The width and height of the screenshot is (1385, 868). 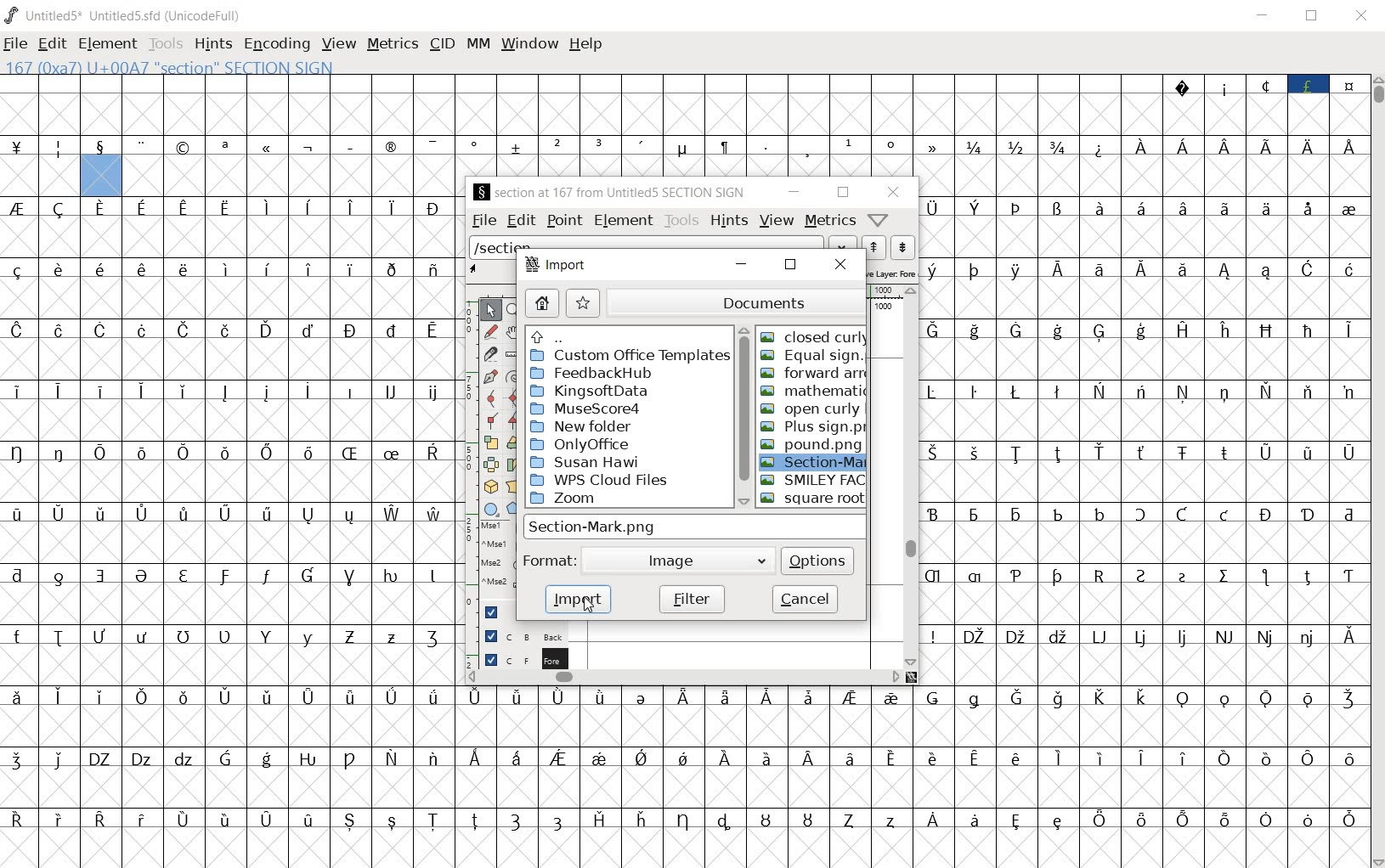 What do you see at coordinates (734, 303) in the screenshot?
I see `documents` at bounding box center [734, 303].